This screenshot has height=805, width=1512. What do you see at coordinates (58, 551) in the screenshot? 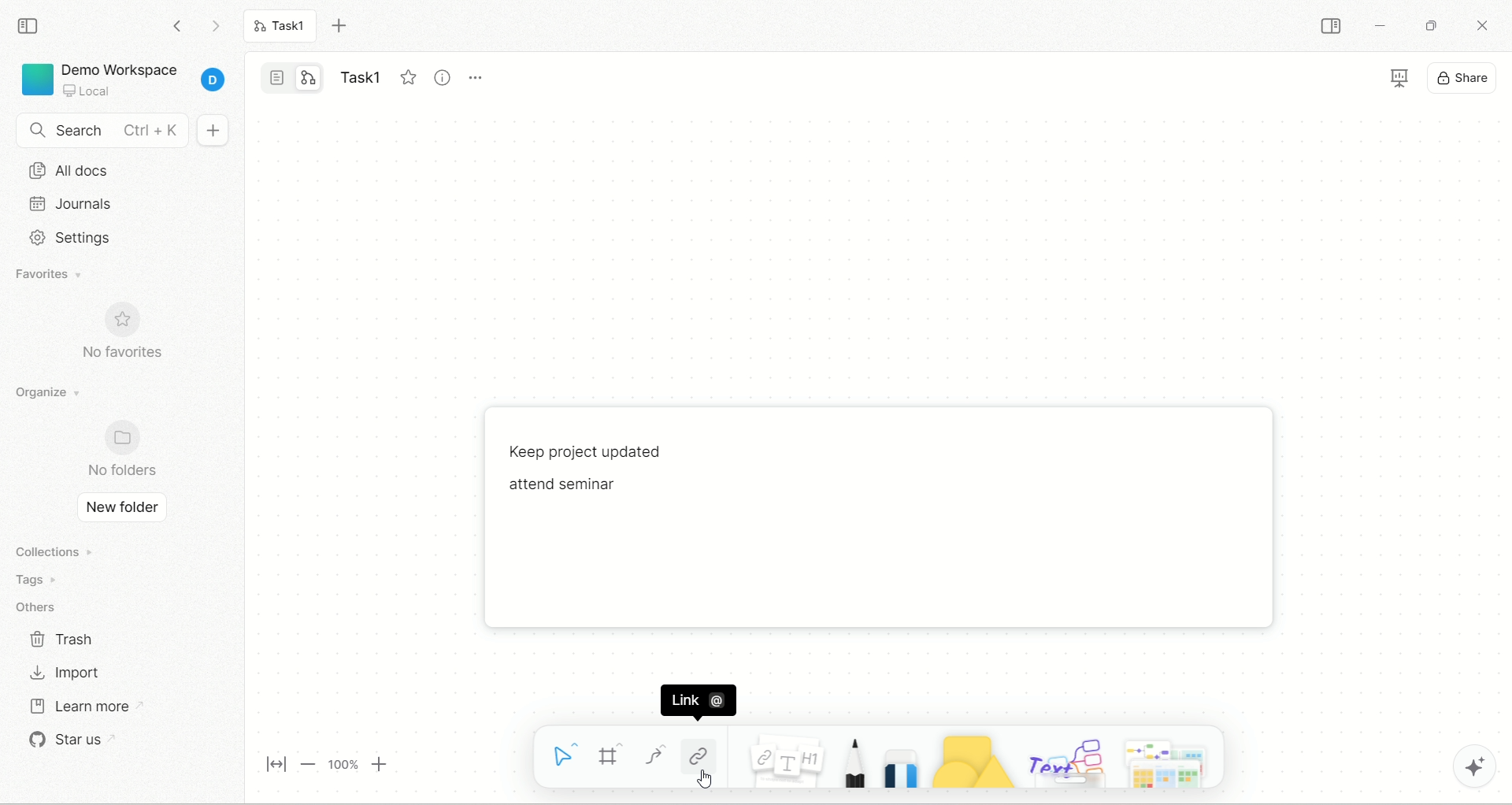
I see `collections` at bounding box center [58, 551].